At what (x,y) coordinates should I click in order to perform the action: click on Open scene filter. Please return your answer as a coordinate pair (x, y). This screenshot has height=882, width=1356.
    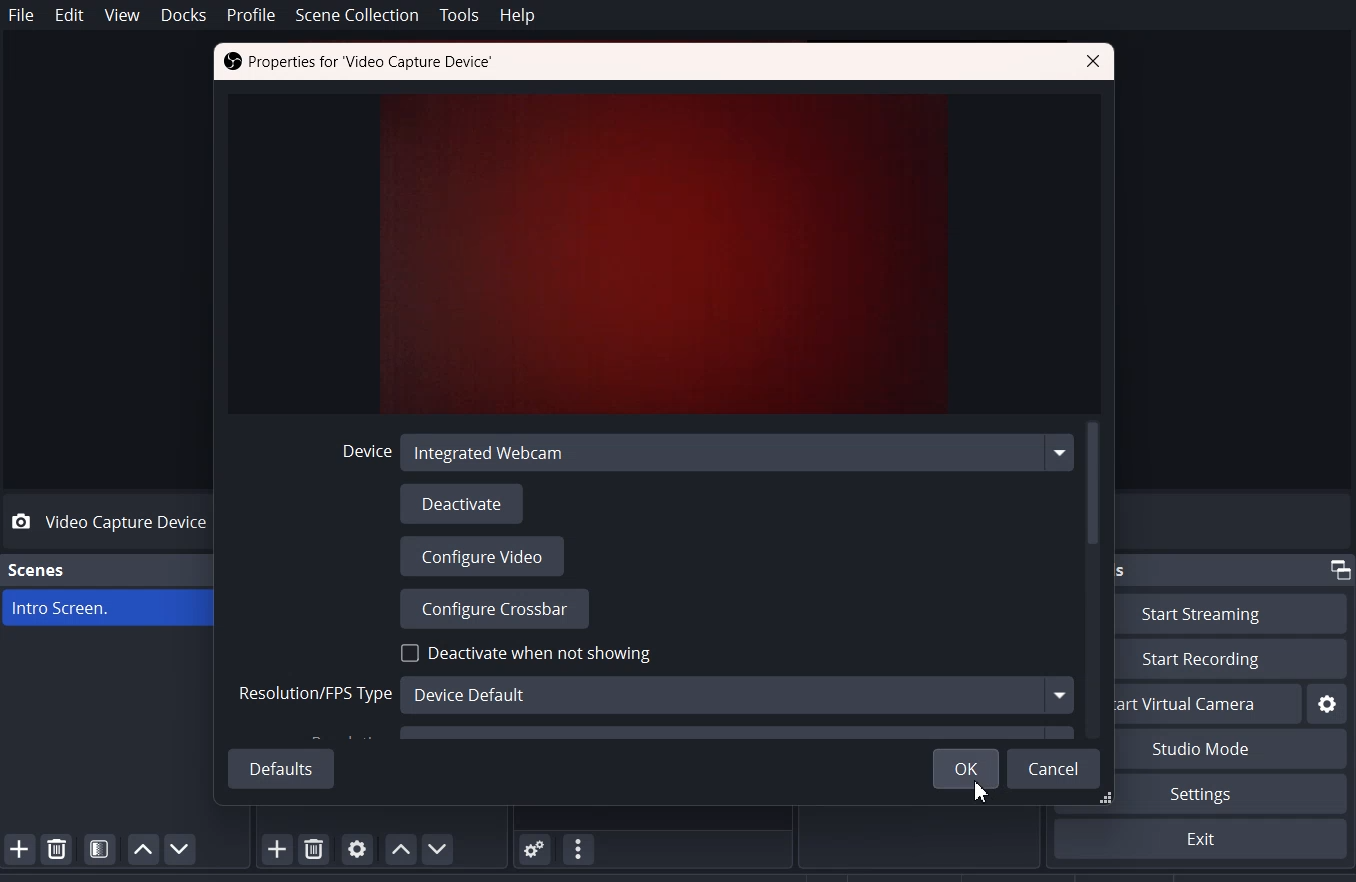
    Looking at the image, I should click on (100, 849).